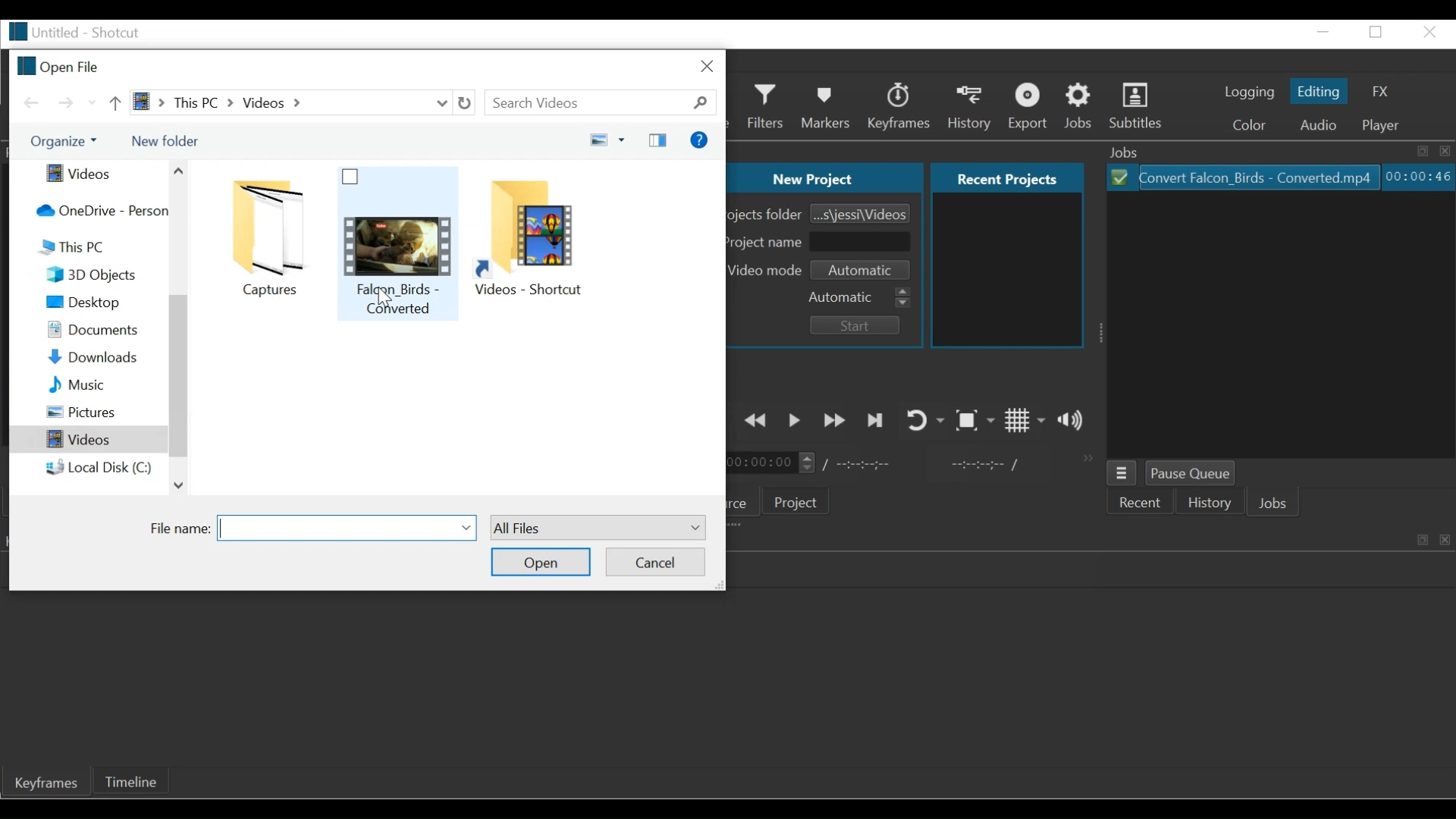 This screenshot has width=1456, height=819. Describe the element at coordinates (861, 298) in the screenshot. I see `Automatic` at that location.